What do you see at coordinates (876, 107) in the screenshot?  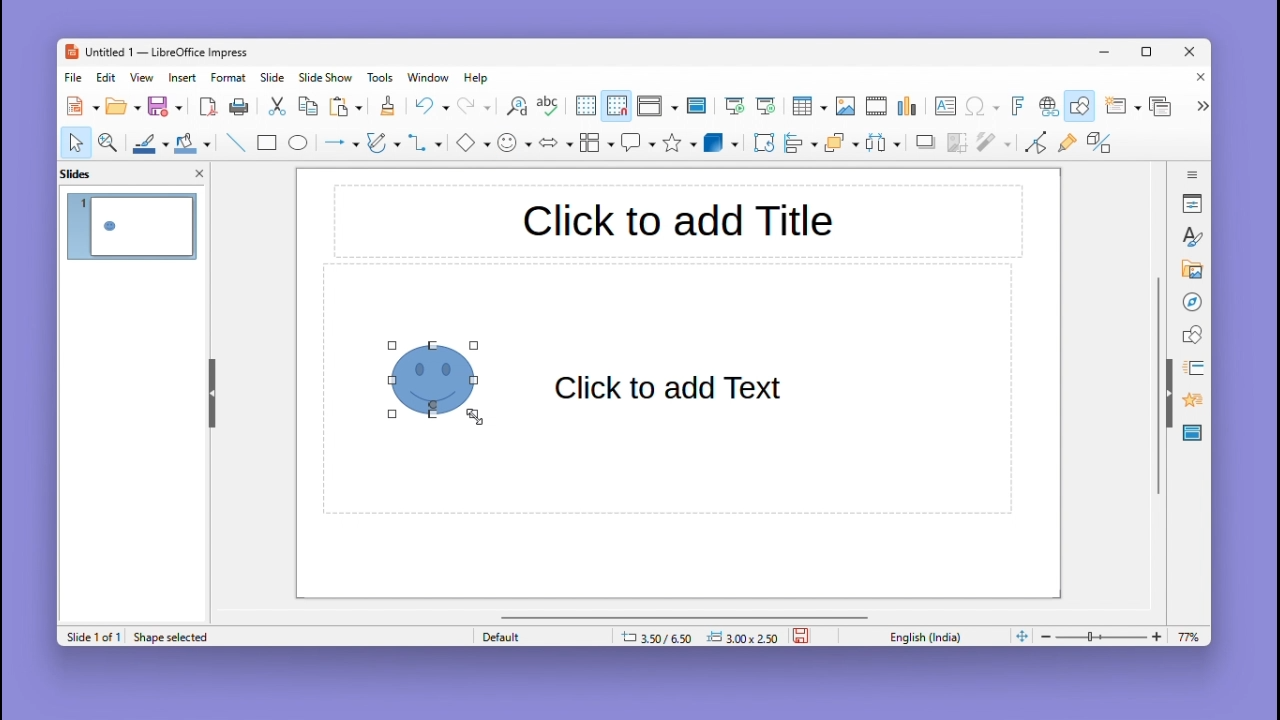 I see `Video` at bounding box center [876, 107].